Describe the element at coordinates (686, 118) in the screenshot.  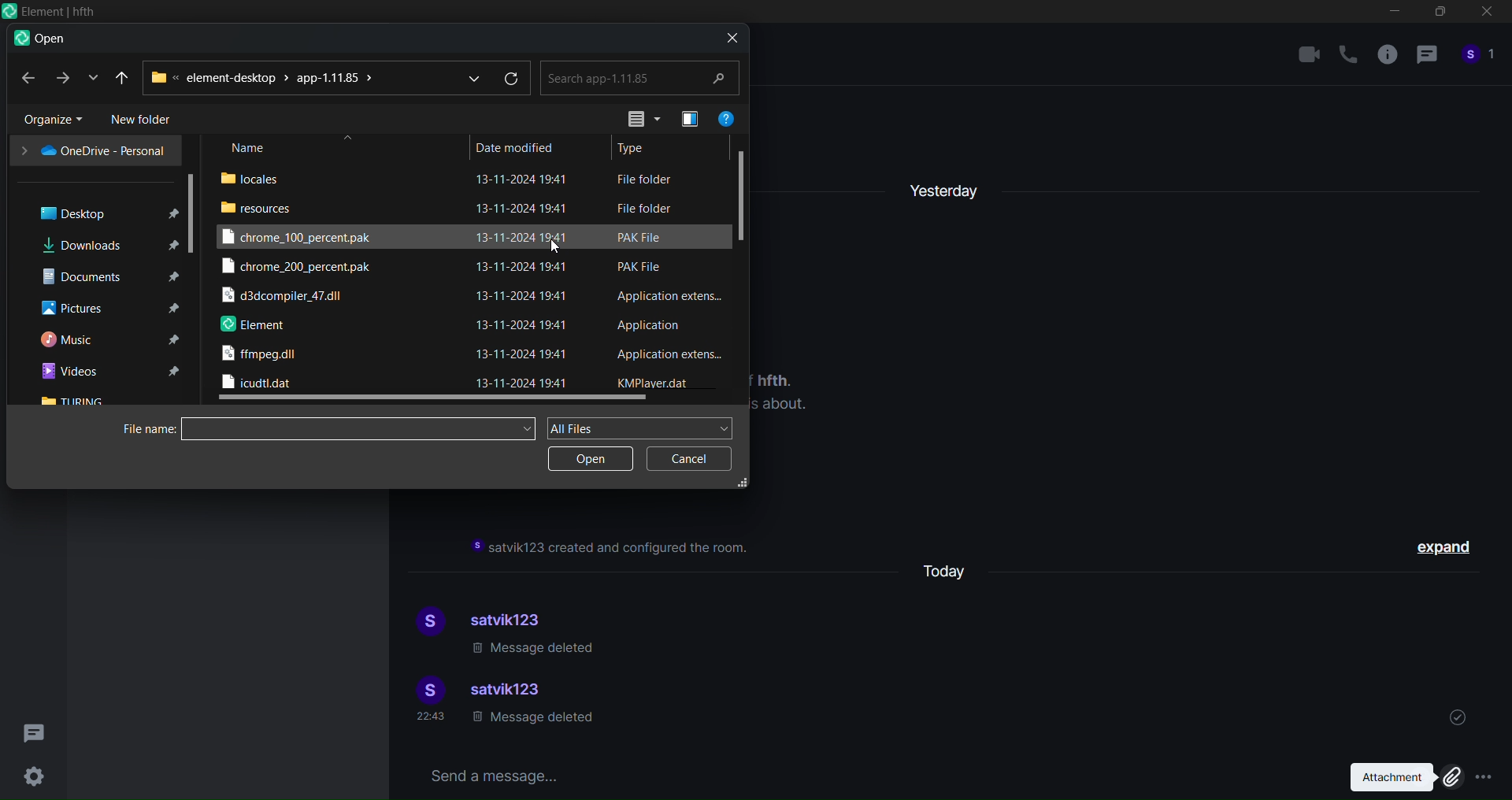
I see `preview pane` at that location.